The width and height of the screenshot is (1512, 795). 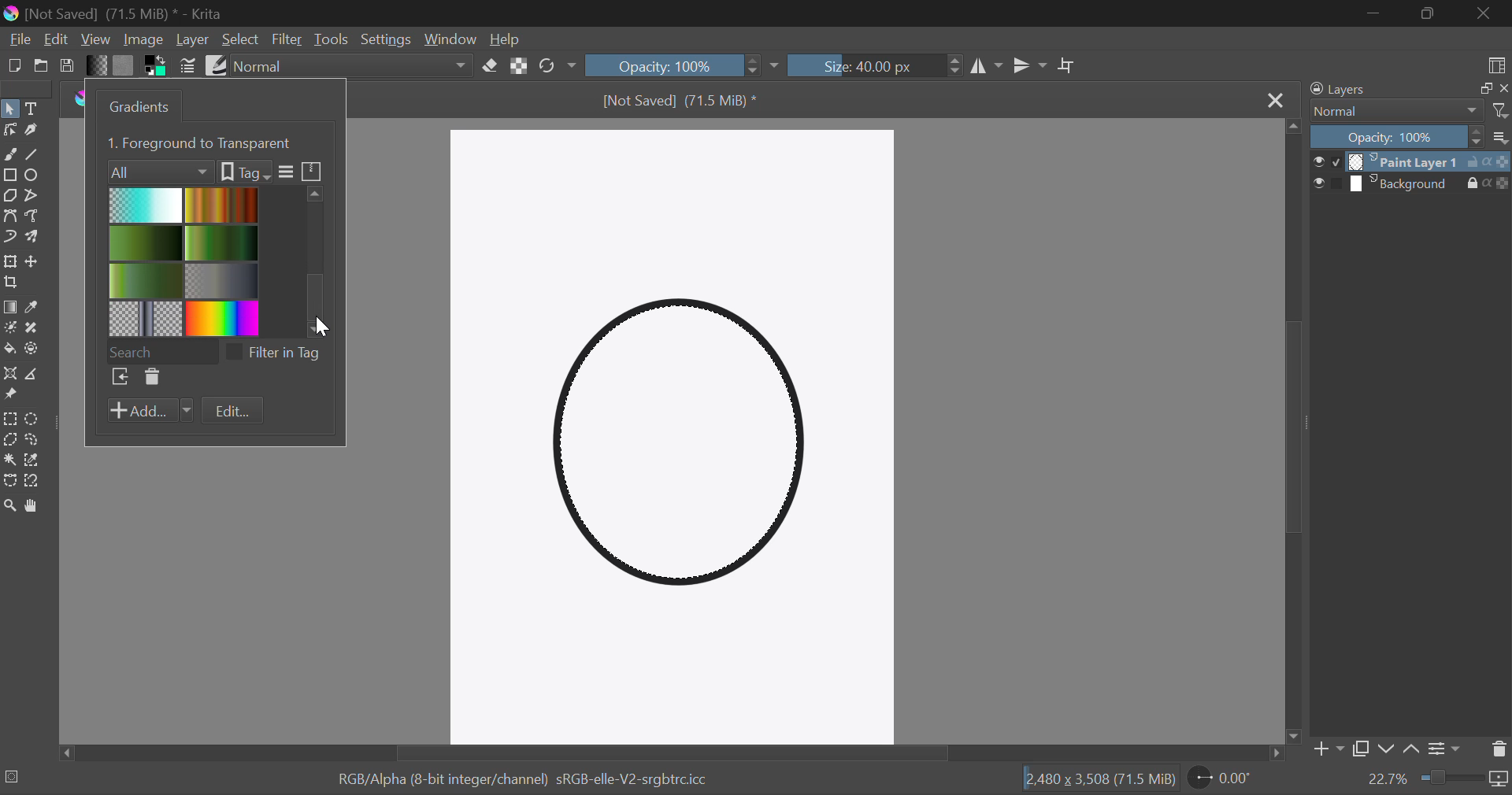 What do you see at coordinates (1389, 779) in the screenshot?
I see `zoom value` at bounding box center [1389, 779].